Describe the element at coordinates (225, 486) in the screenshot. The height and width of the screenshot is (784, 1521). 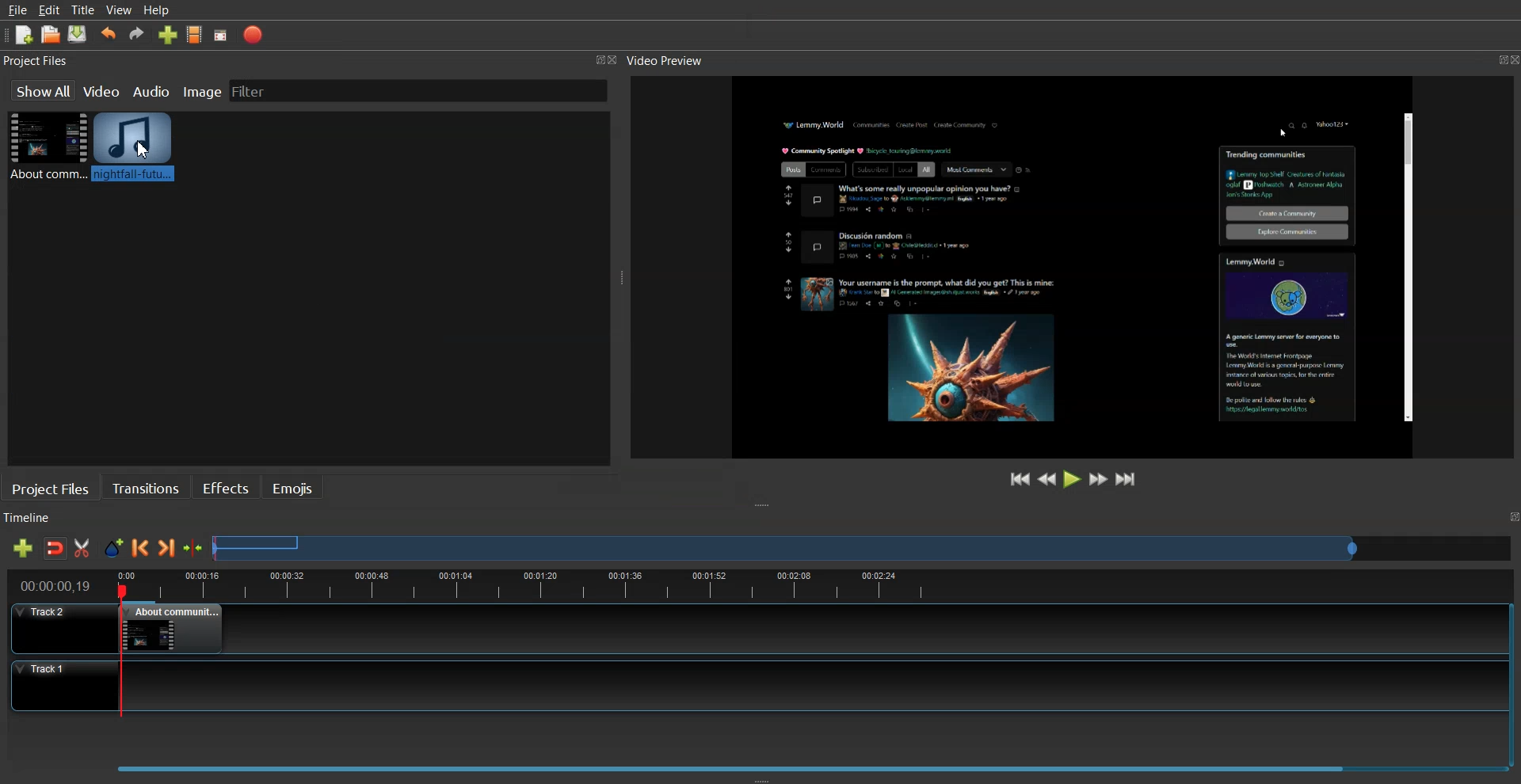
I see `Effects` at that location.